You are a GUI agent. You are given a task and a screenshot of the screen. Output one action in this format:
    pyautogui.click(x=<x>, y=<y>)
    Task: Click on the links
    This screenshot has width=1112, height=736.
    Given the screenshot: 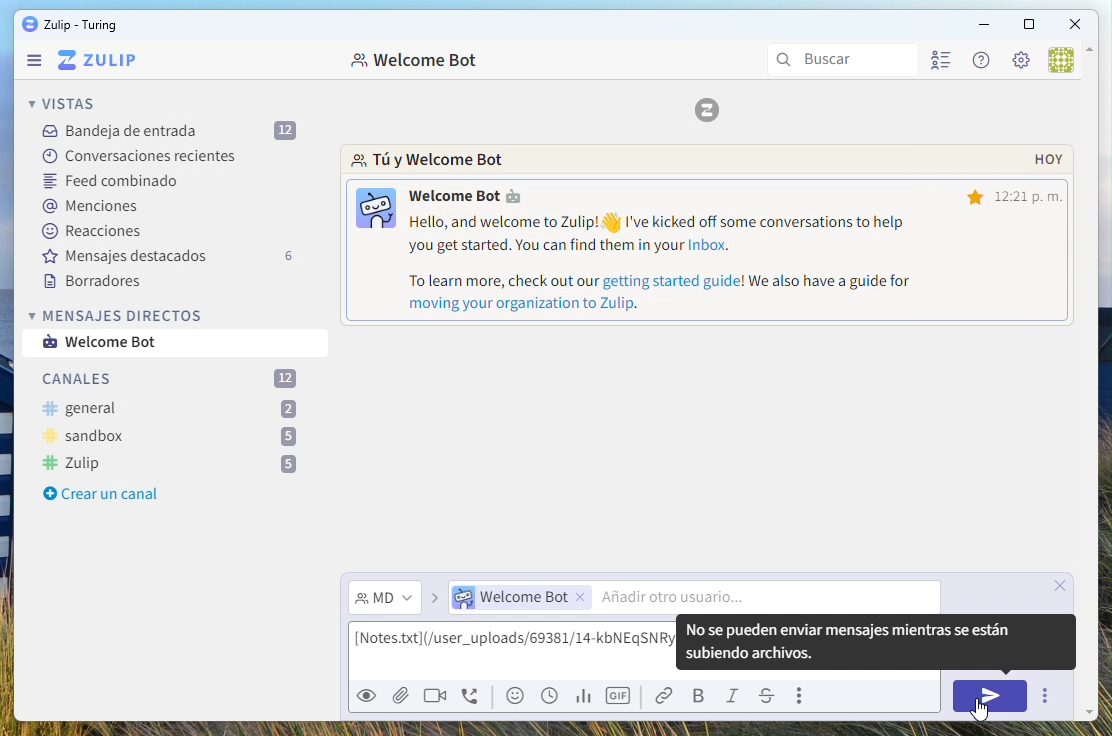 What is the action you would take?
    pyautogui.click(x=669, y=696)
    